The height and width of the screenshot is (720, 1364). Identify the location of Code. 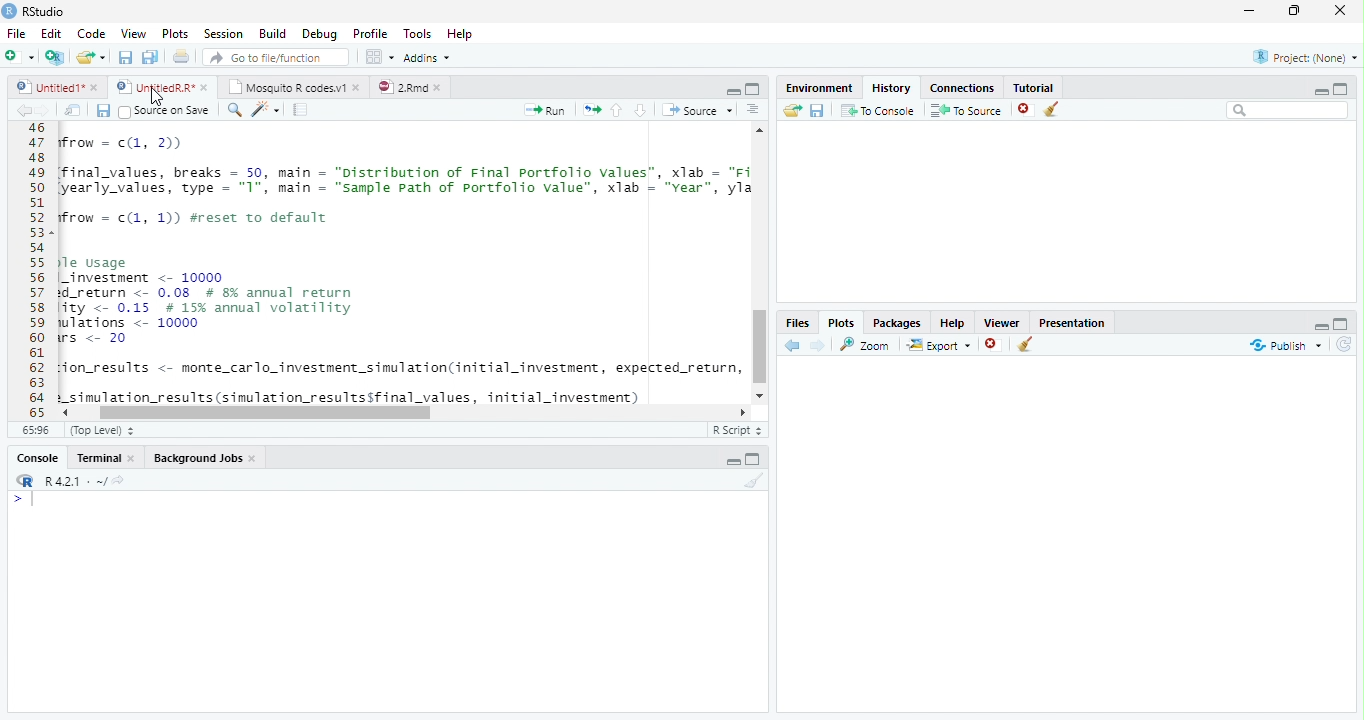
(402, 264).